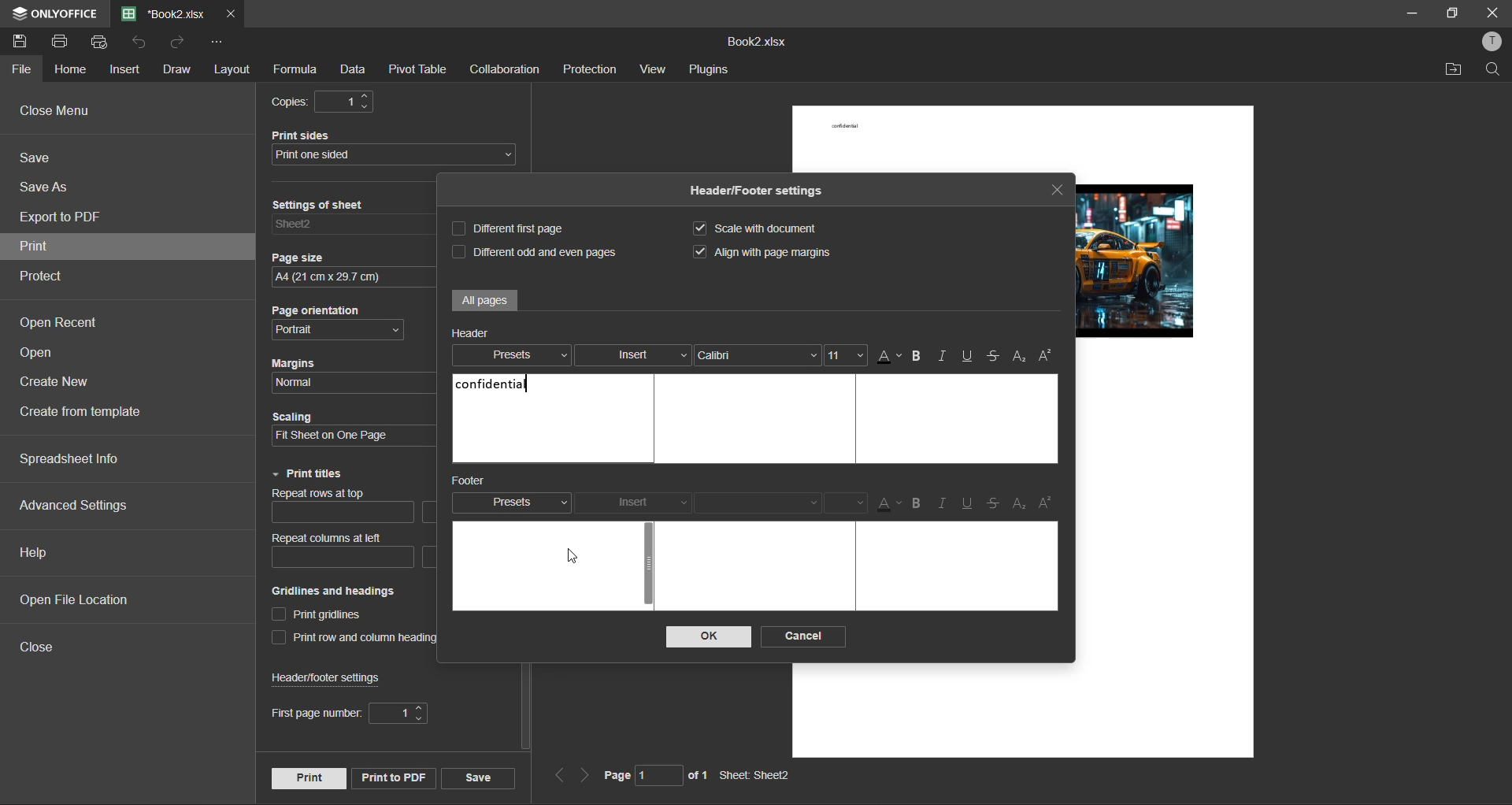 The image size is (1512, 805). What do you see at coordinates (475, 335) in the screenshot?
I see `header` at bounding box center [475, 335].